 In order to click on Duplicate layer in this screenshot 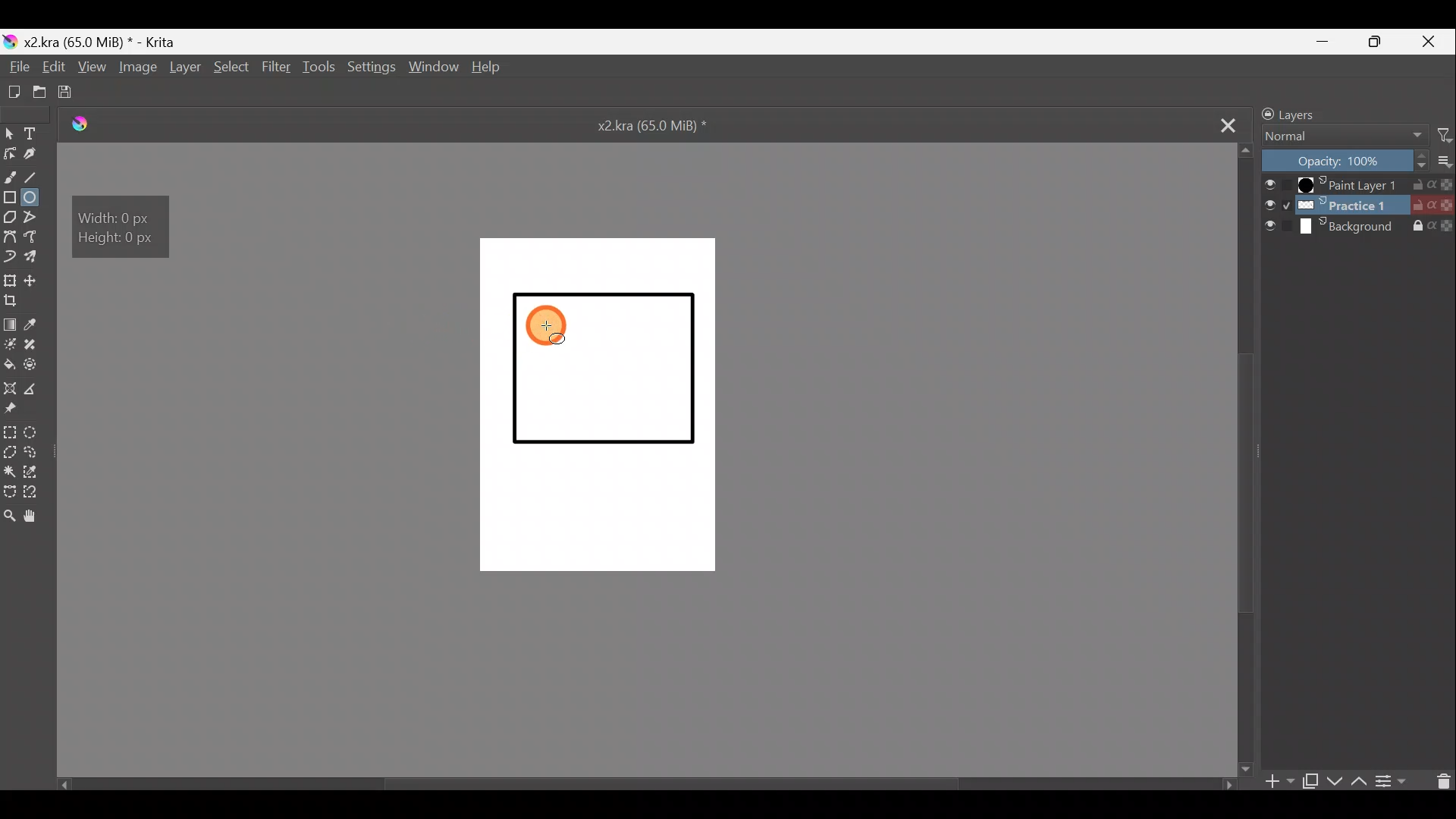, I will do `click(1311, 779)`.